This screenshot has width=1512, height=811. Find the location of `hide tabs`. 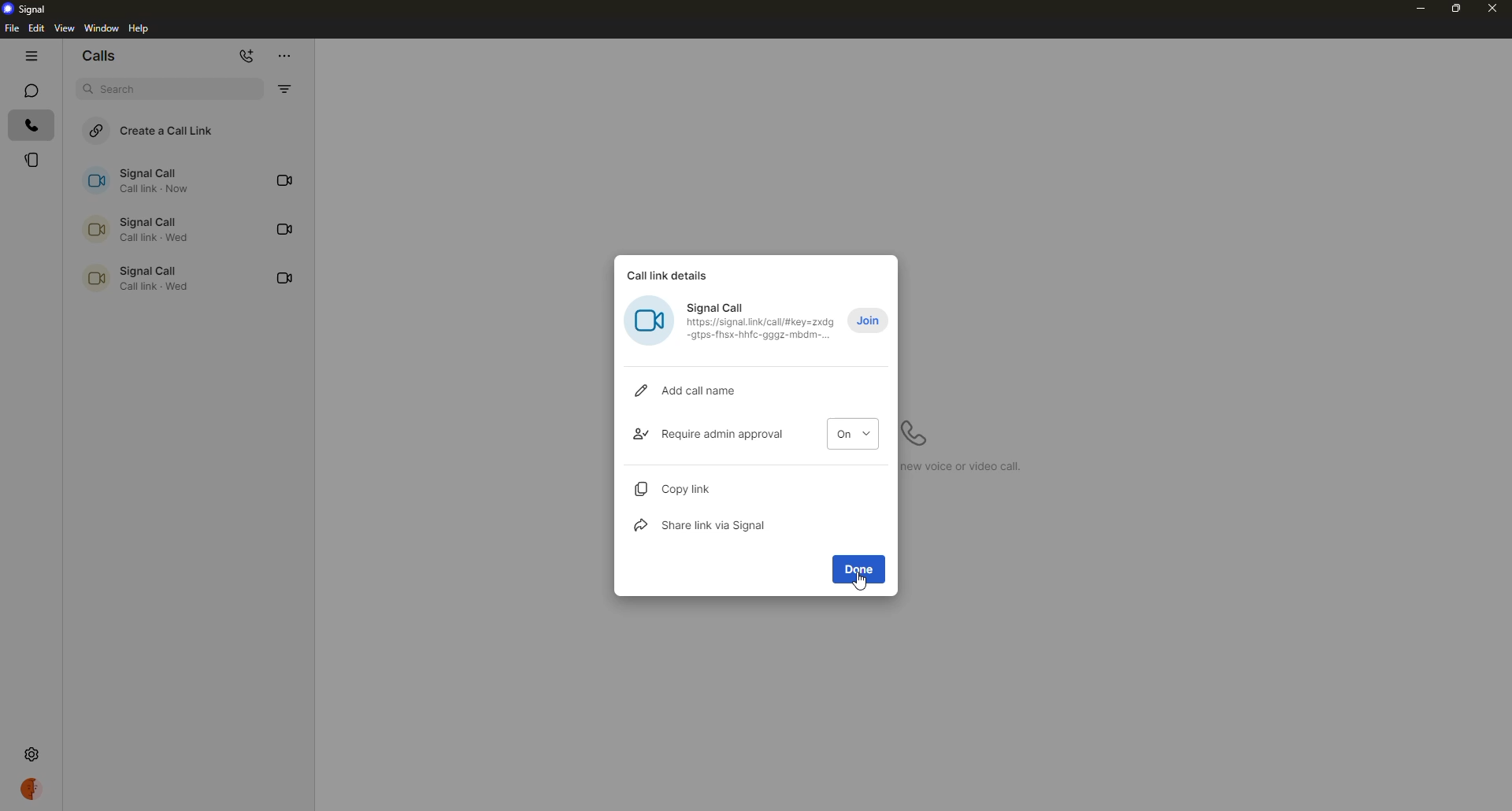

hide tabs is located at coordinates (31, 57).